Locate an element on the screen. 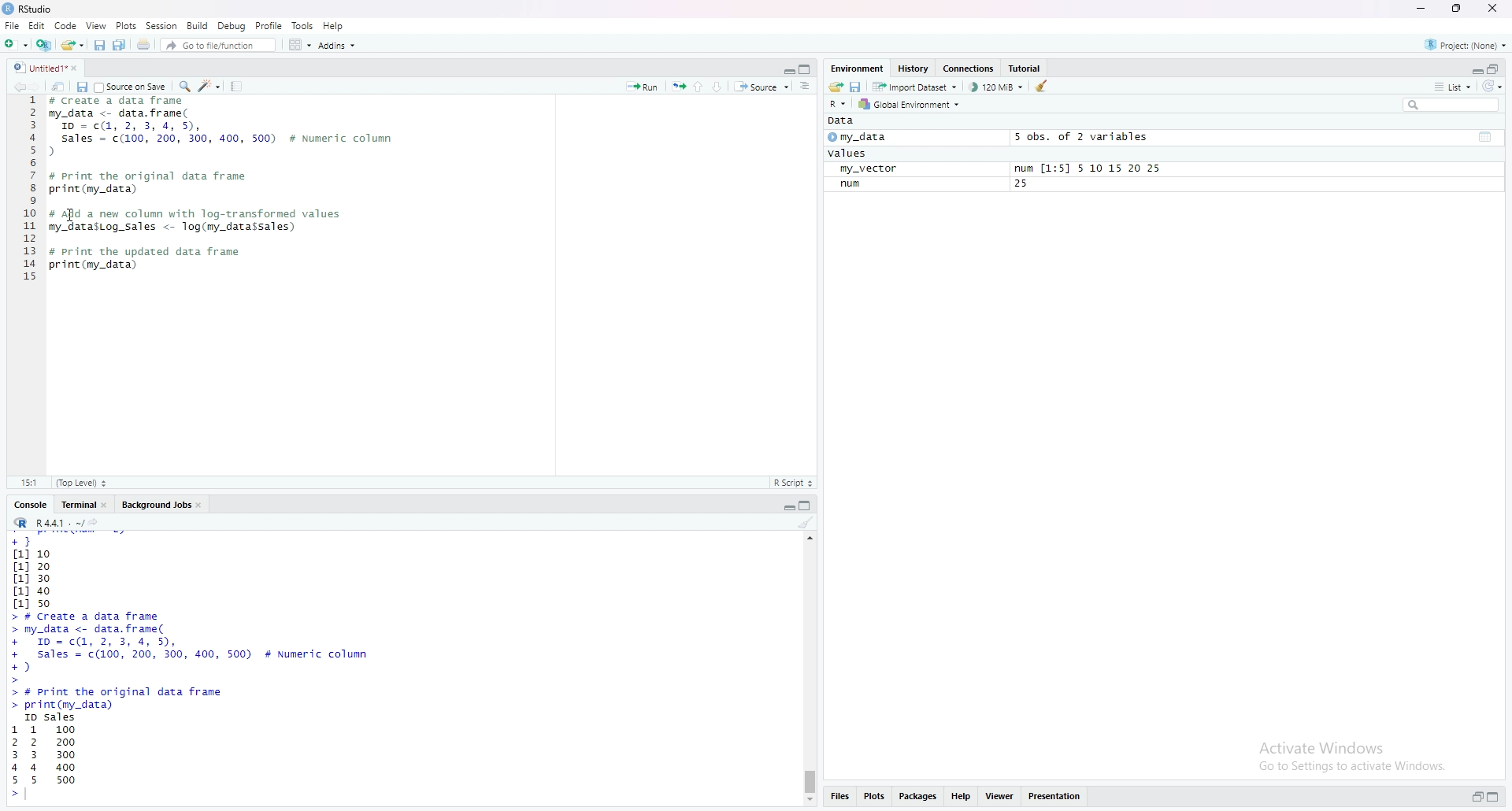 This screenshot has height=811, width=1512. console is located at coordinates (27, 503).